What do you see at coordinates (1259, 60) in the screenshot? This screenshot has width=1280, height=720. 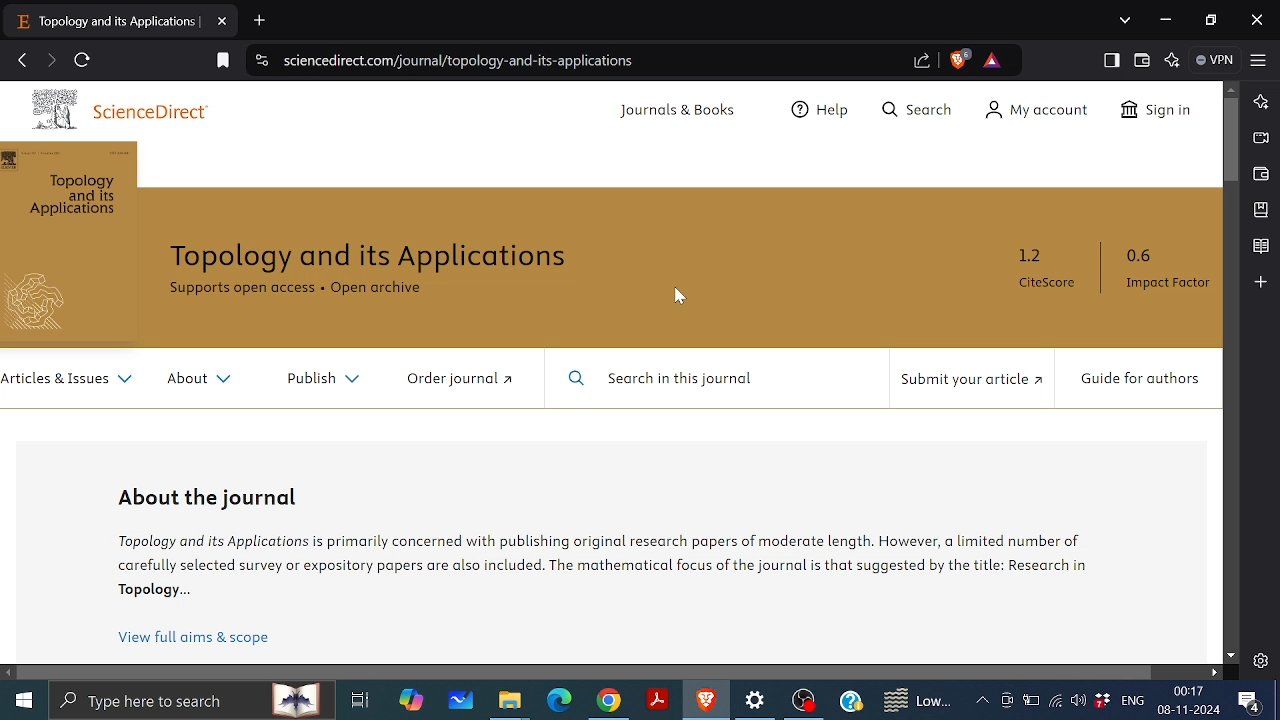 I see `Customize and control brave` at bounding box center [1259, 60].